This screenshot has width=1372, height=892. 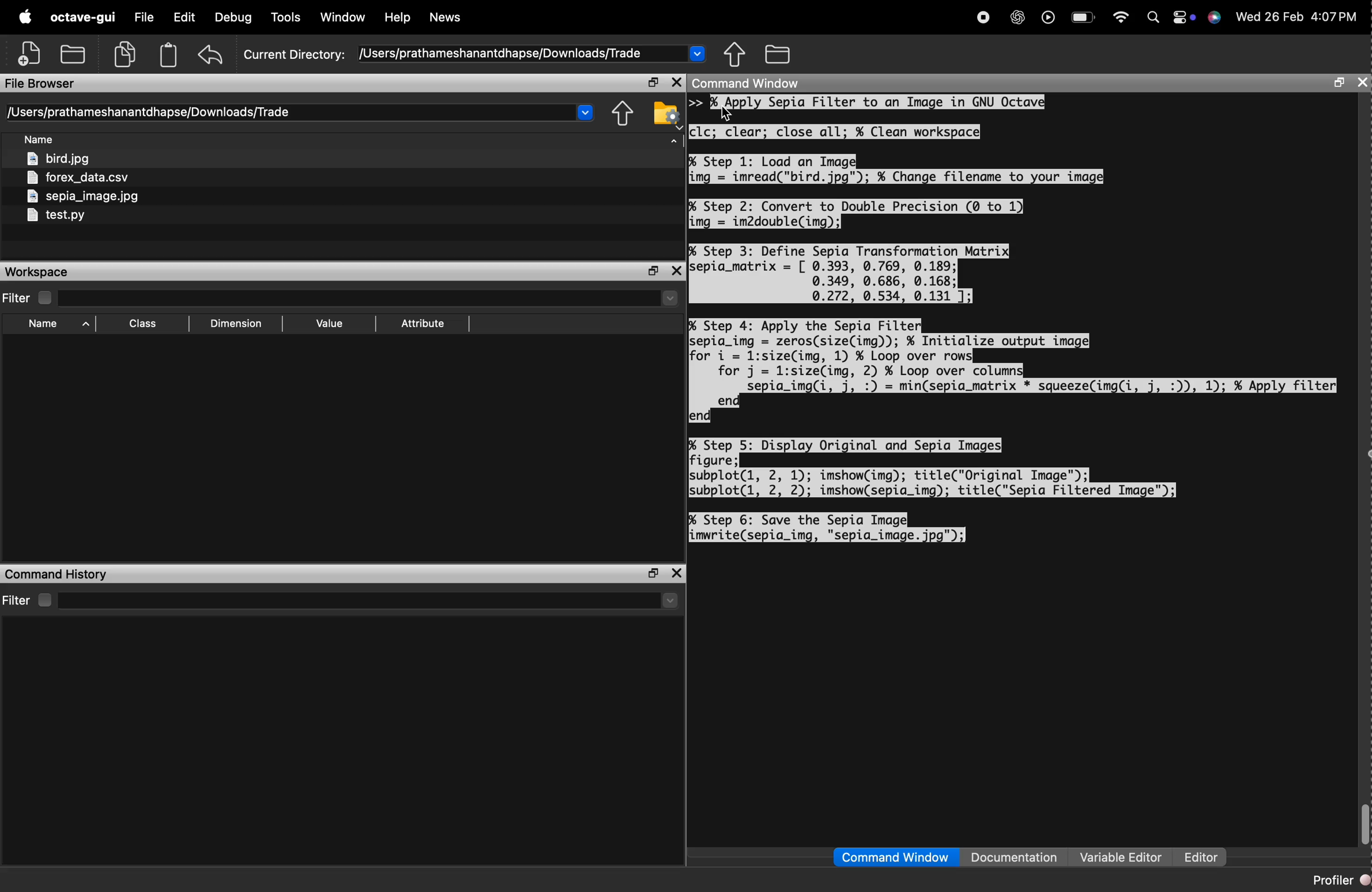 What do you see at coordinates (57, 574) in the screenshot?
I see `Command History` at bounding box center [57, 574].